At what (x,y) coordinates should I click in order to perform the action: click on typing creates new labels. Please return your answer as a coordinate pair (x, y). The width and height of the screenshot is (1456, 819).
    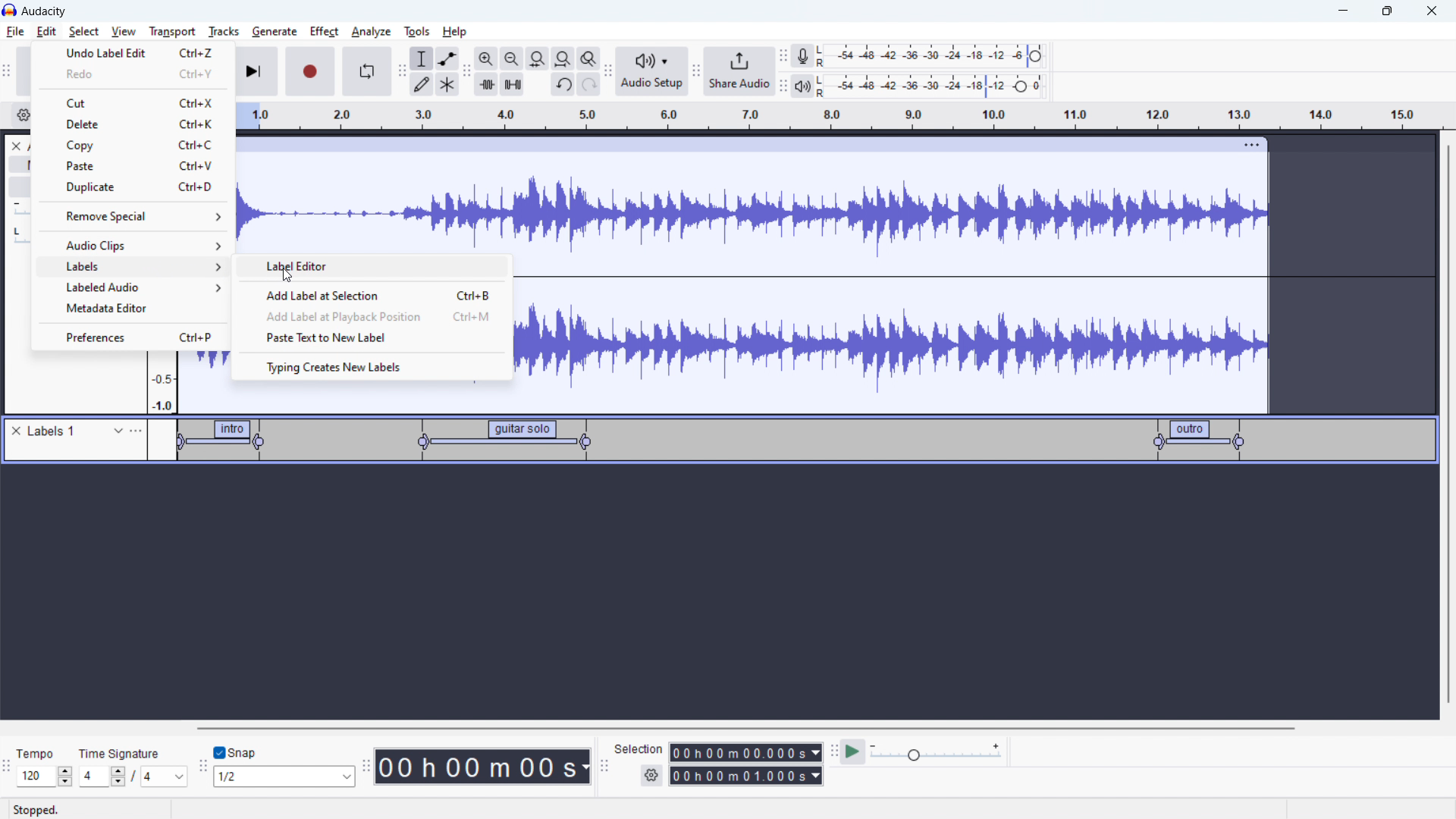
    Looking at the image, I should click on (373, 366).